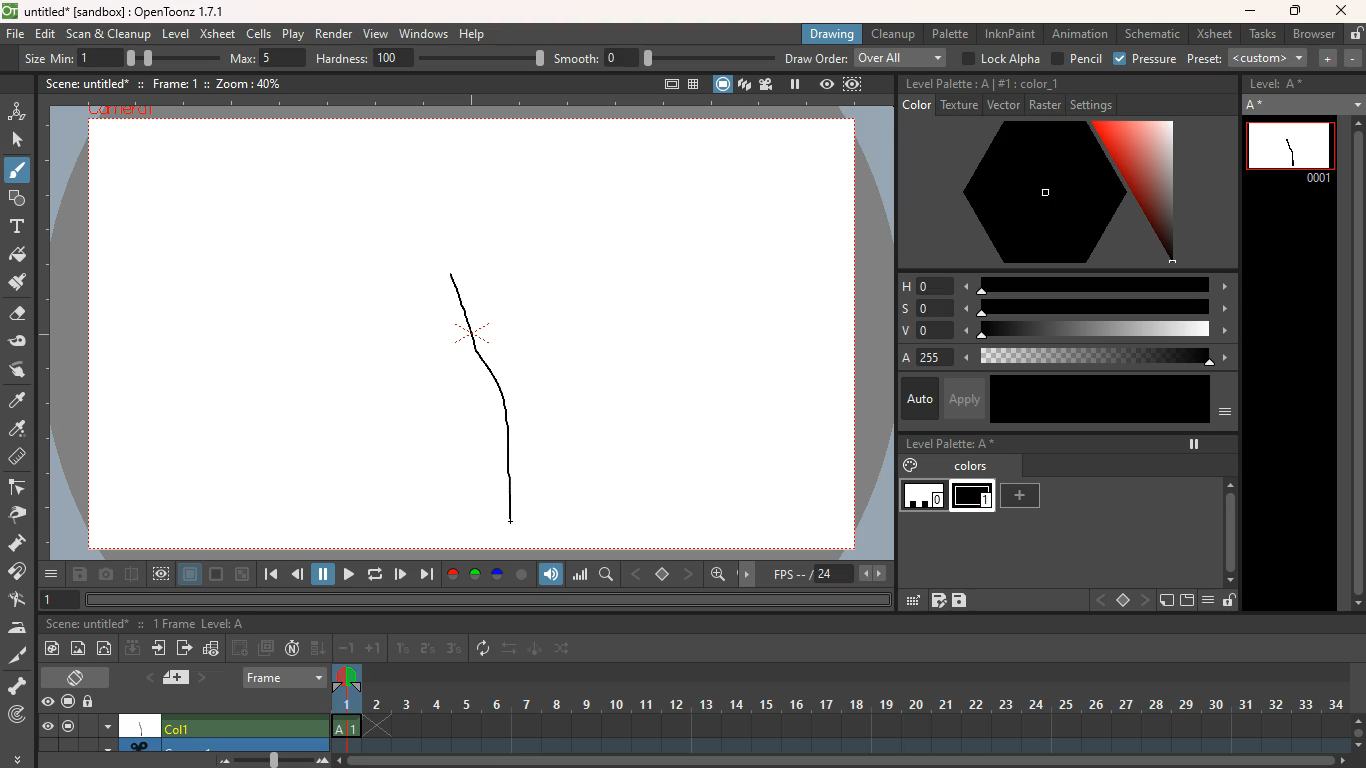 The image size is (1366, 768). I want to click on file, so click(15, 36).